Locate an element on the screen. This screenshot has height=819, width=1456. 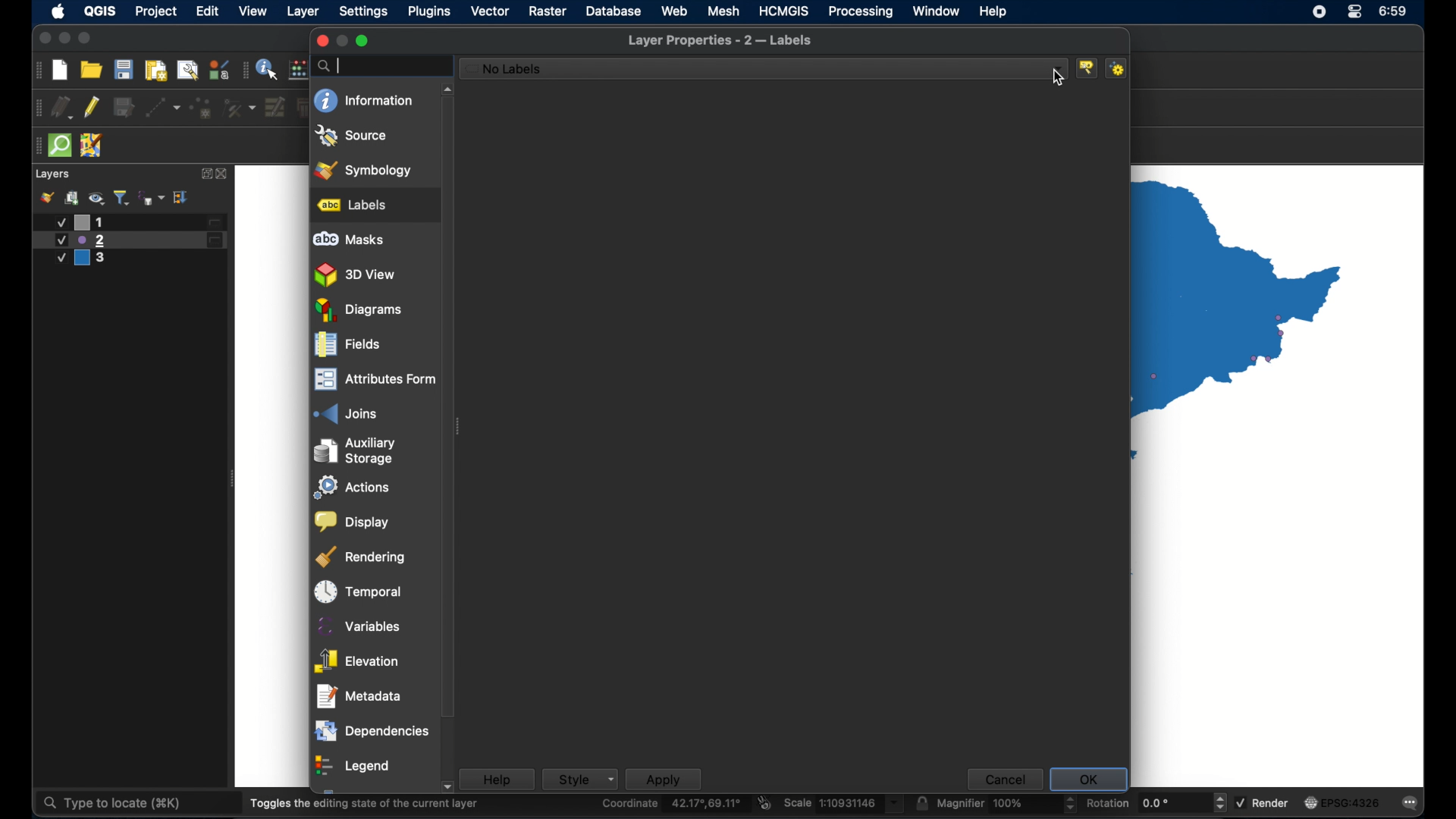
type to locate is located at coordinates (110, 804).